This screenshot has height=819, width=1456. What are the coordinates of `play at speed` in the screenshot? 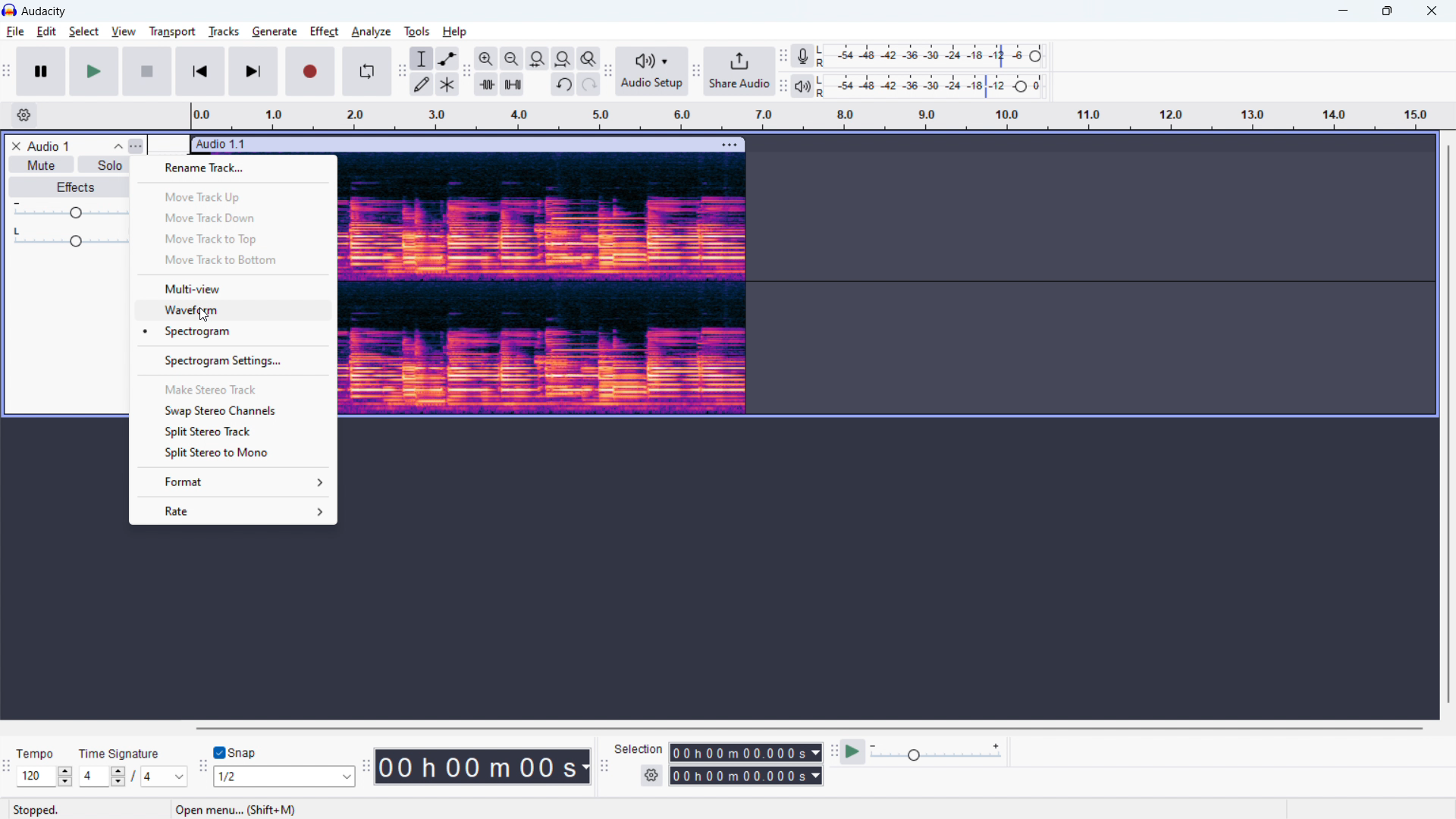 It's located at (853, 752).